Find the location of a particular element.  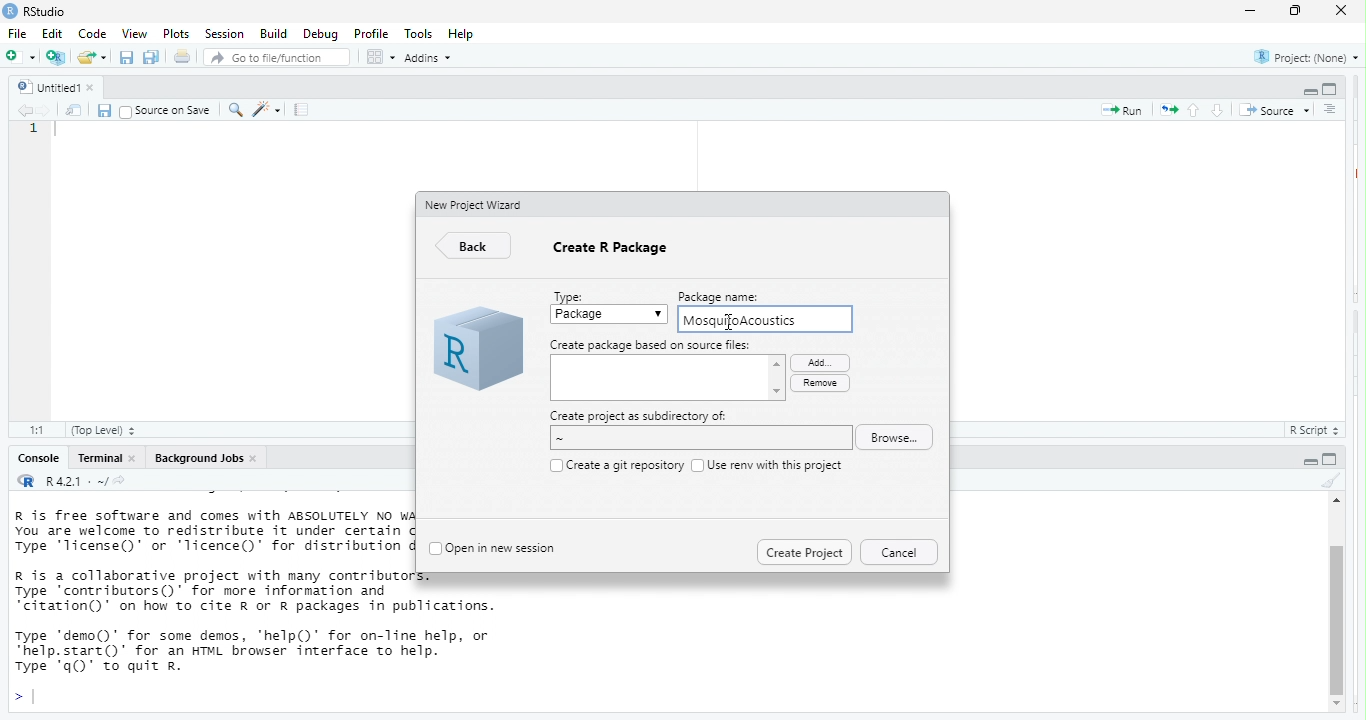

RScript  is located at coordinates (1309, 431).